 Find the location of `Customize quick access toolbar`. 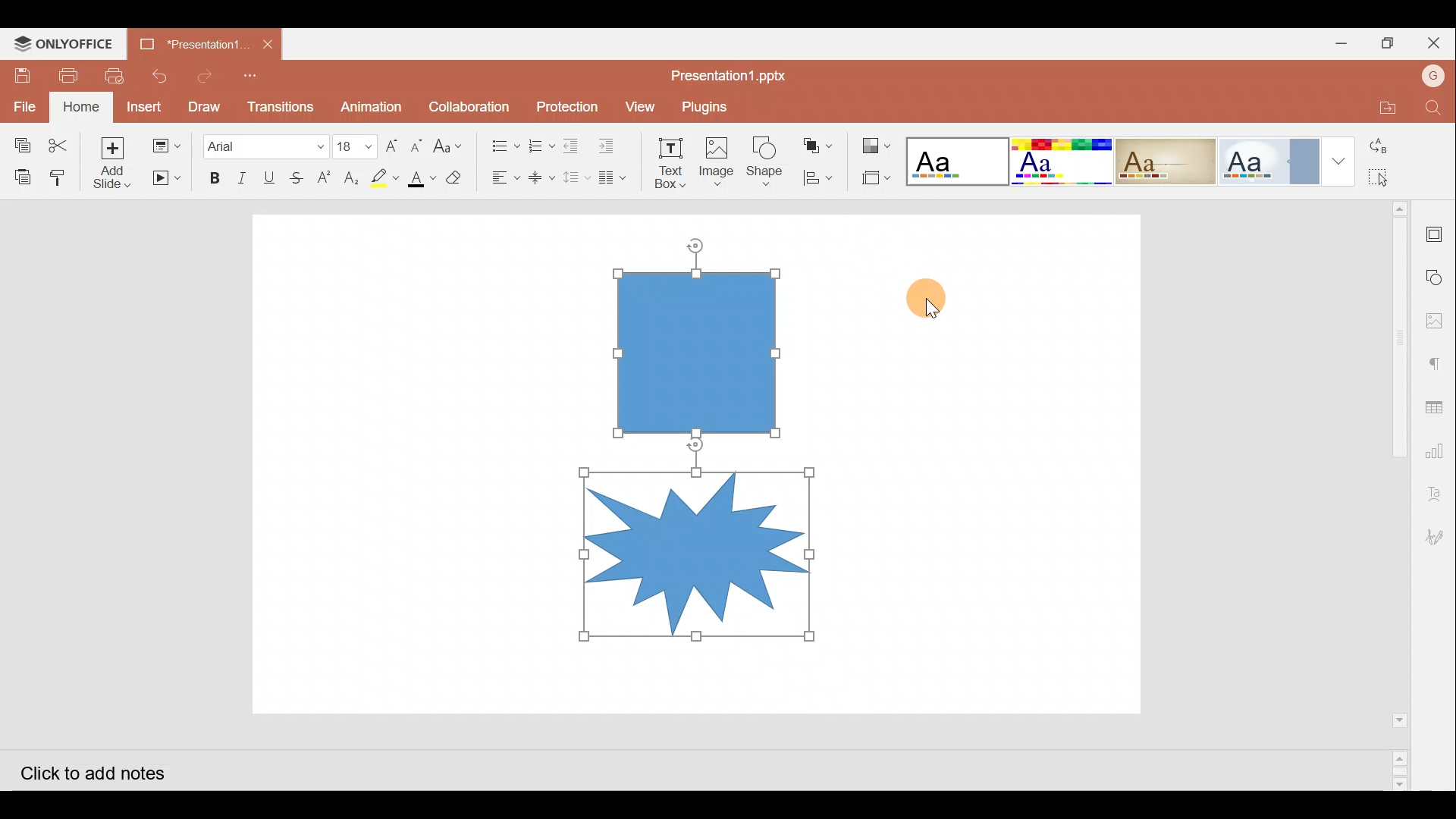

Customize quick access toolbar is located at coordinates (258, 74).